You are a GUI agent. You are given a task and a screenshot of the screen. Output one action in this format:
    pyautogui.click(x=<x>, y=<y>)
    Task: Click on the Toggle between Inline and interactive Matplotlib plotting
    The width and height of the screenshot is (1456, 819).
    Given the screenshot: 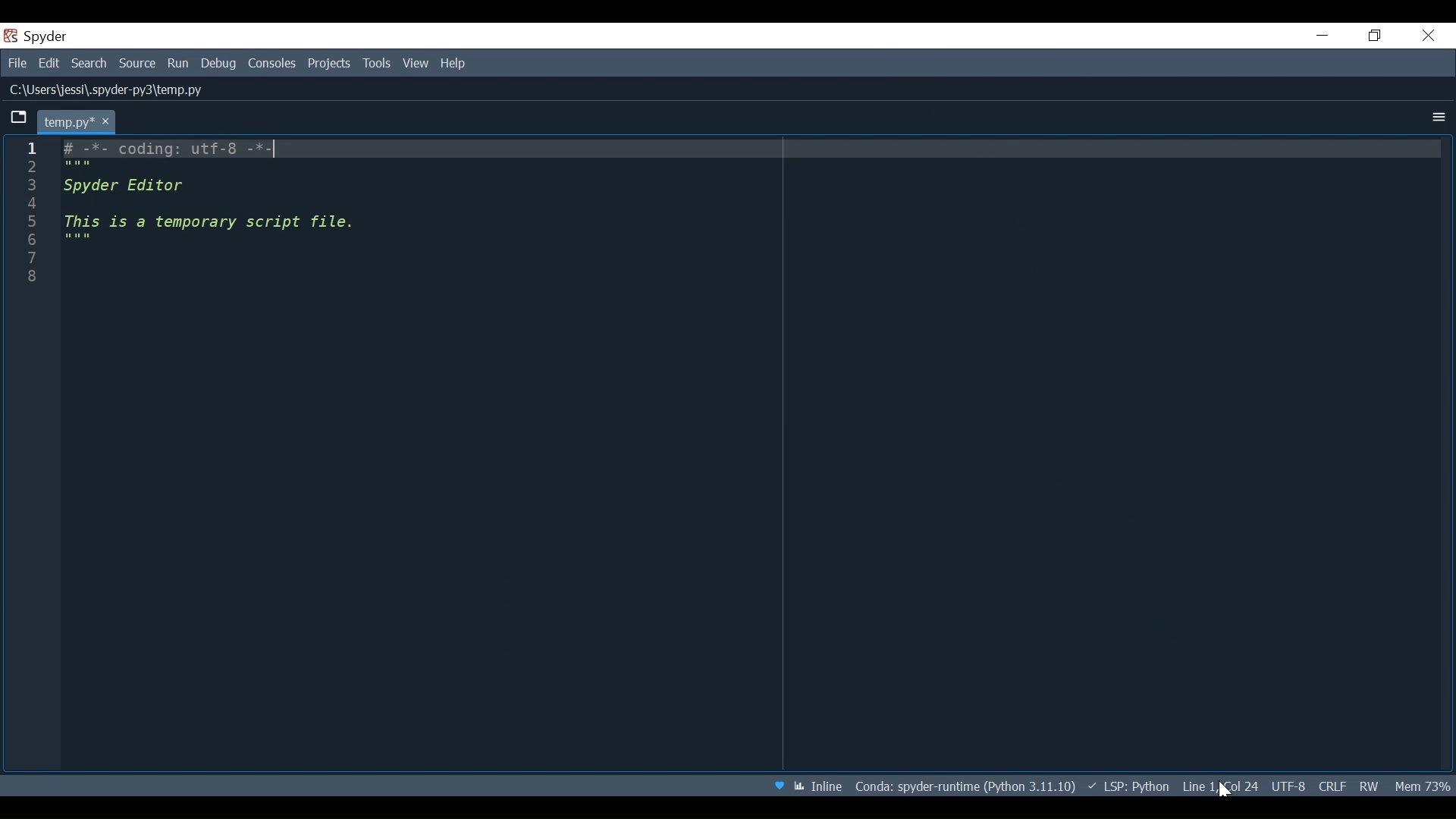 What is the action you would take?
    pyautogui.click(x=821, y=784)
    